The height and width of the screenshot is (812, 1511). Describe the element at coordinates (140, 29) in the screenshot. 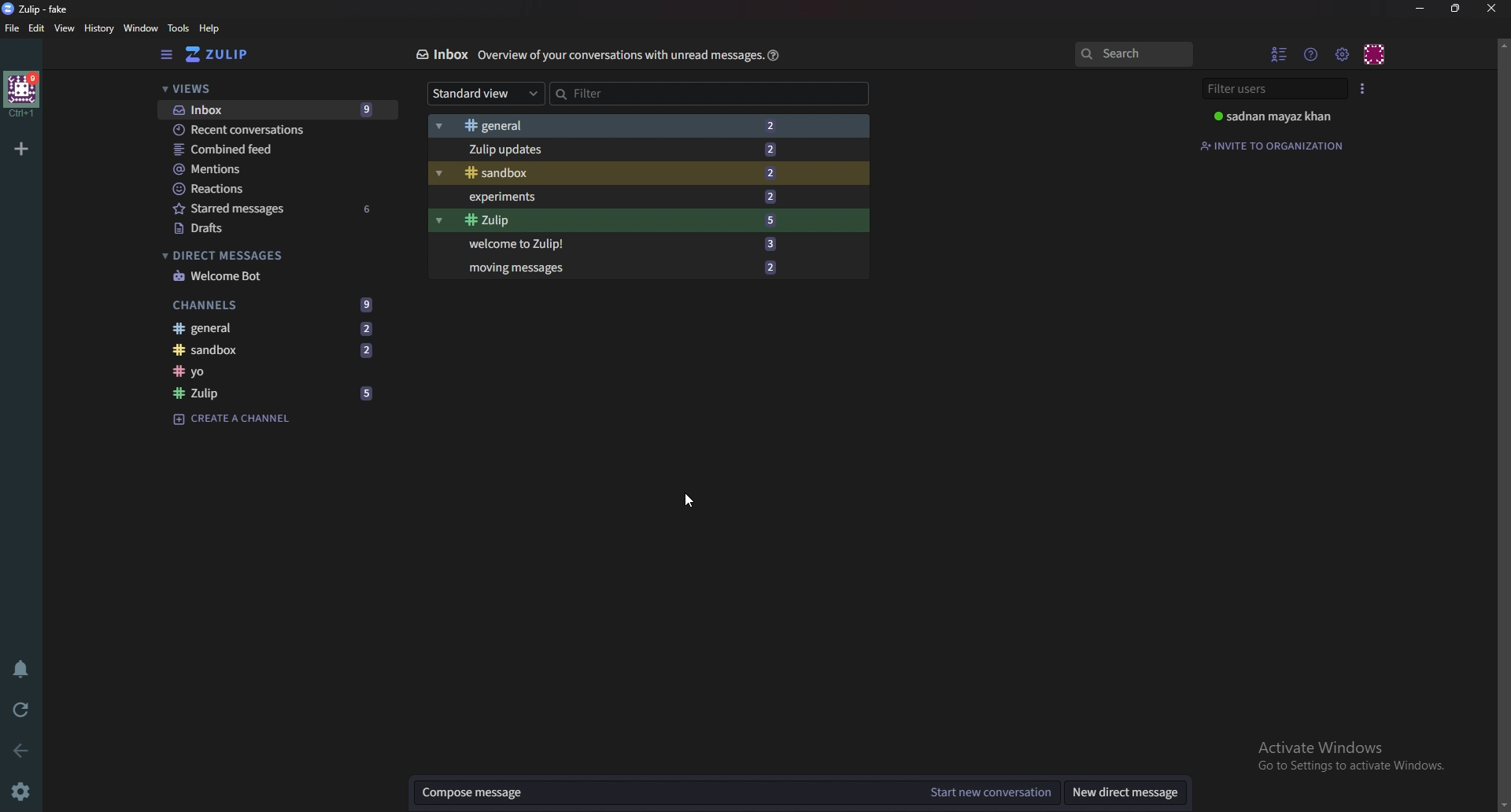

I see `Window` at that location.